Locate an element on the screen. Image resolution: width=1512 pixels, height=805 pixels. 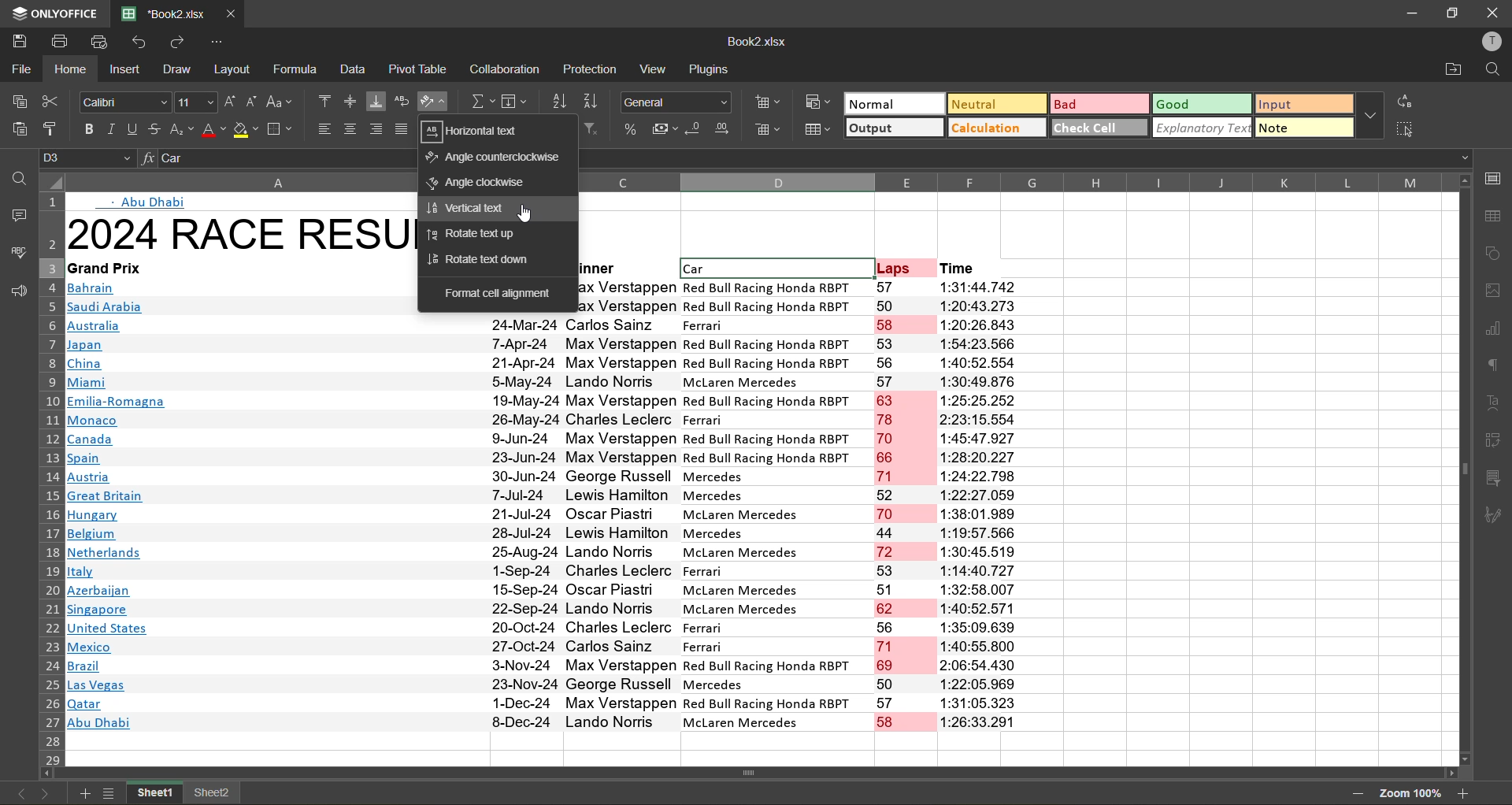
maximize is located at coordinates (1460, 12).